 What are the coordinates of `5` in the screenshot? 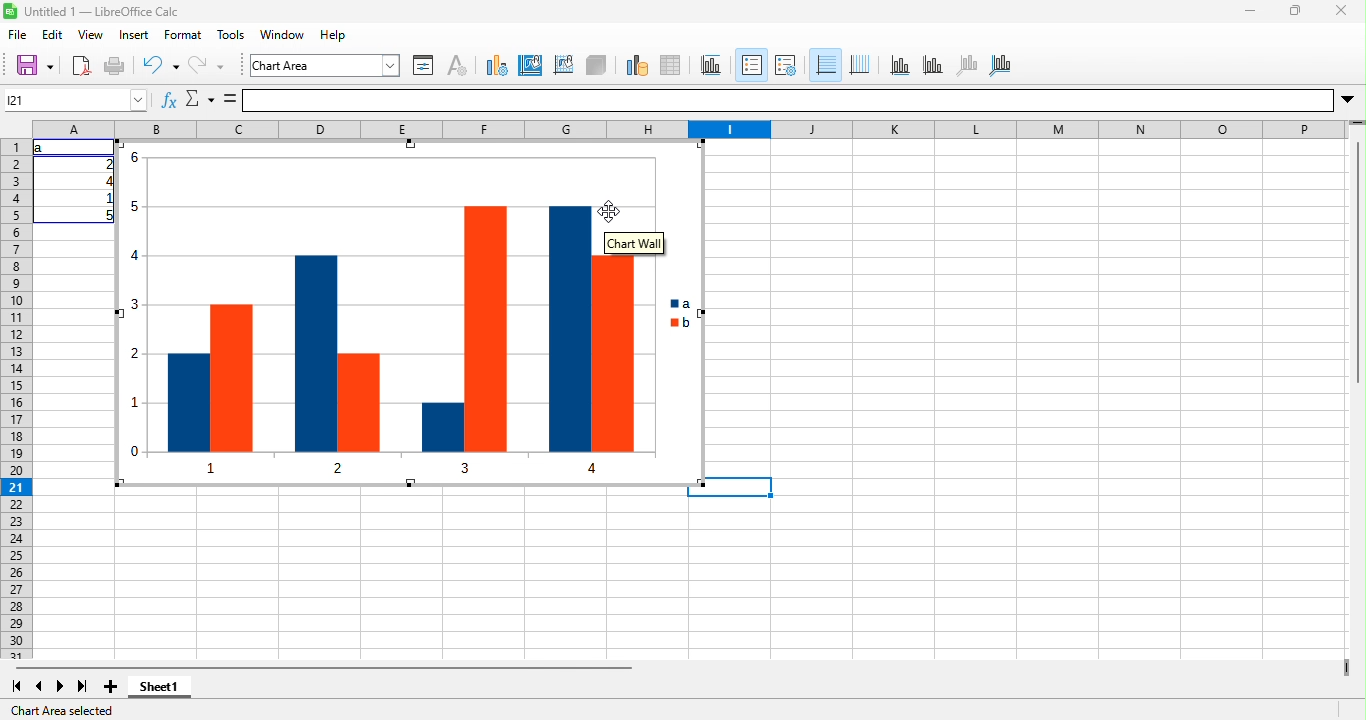 It's located at (106, 215).